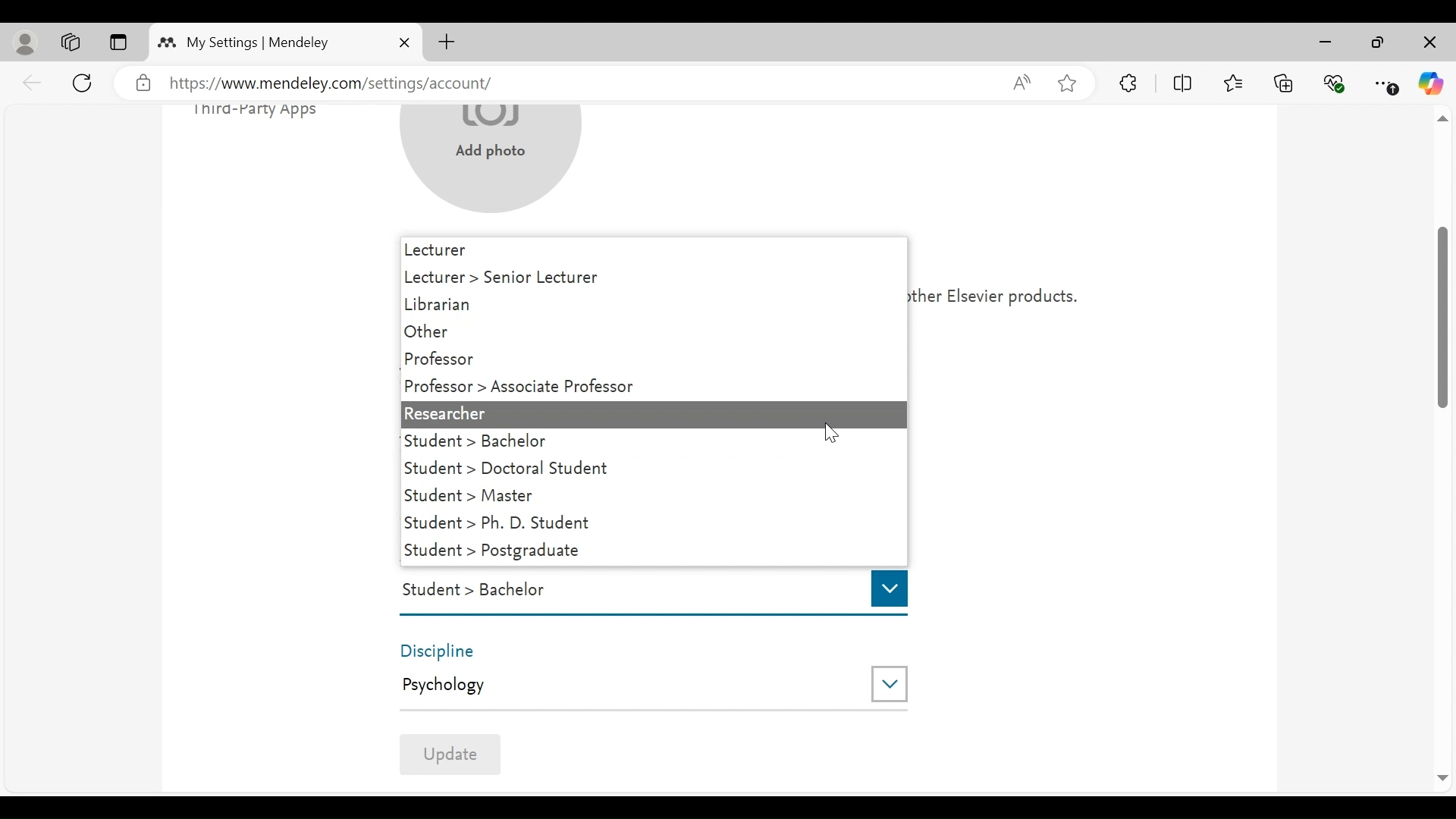 This screenshot has width=1456, height=819. Describe the element at coordinates (1232, 81) in the screenshot. I see `Favorites` at that location.